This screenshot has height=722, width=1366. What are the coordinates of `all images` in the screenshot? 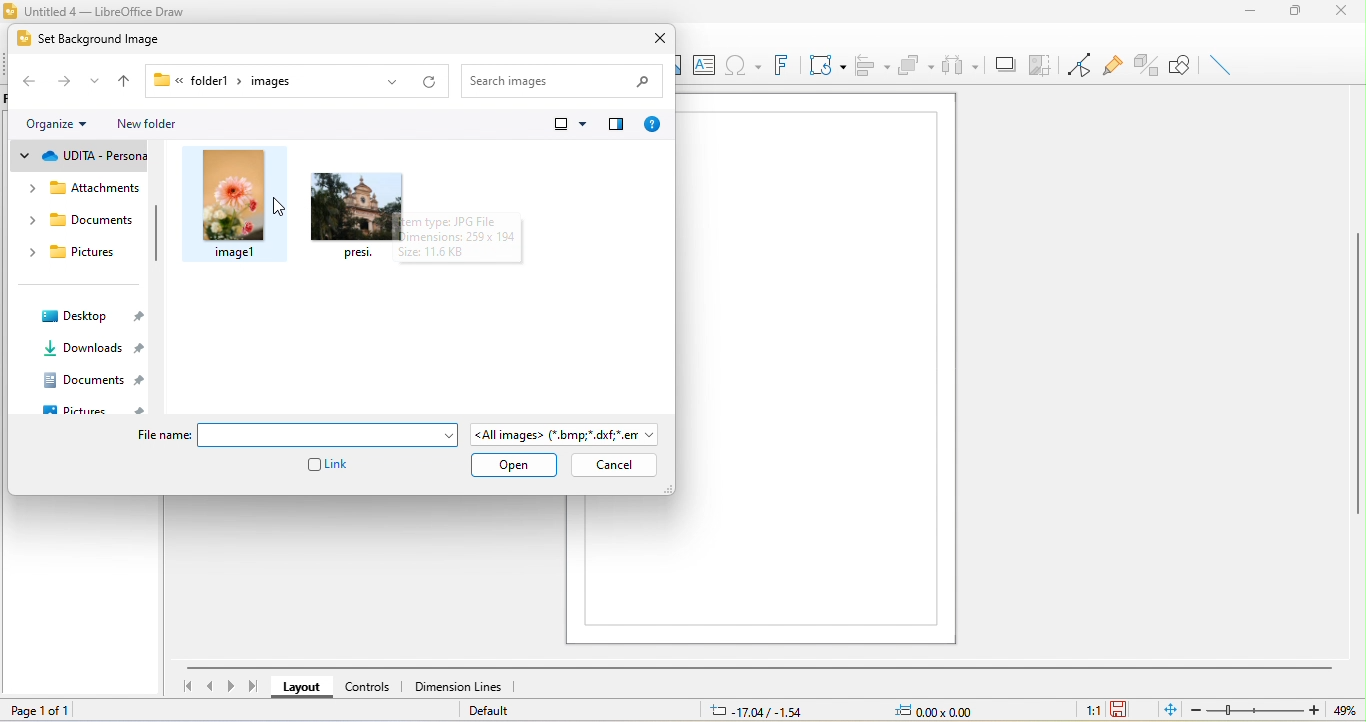 It's located at (567, 432).